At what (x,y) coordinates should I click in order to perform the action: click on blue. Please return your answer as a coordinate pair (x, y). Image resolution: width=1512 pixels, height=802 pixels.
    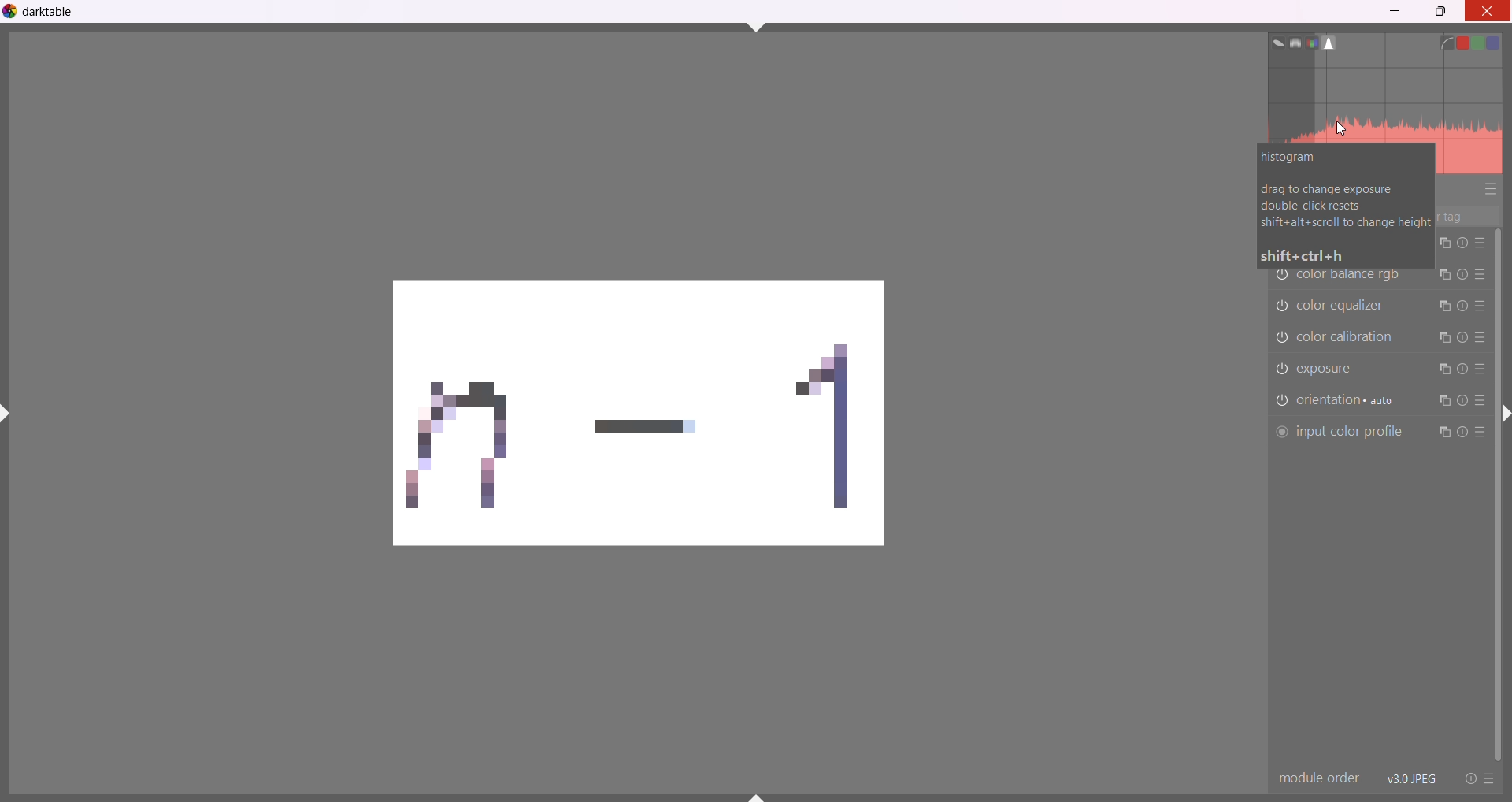
    Looking at the image, I should click on (1504, 41).